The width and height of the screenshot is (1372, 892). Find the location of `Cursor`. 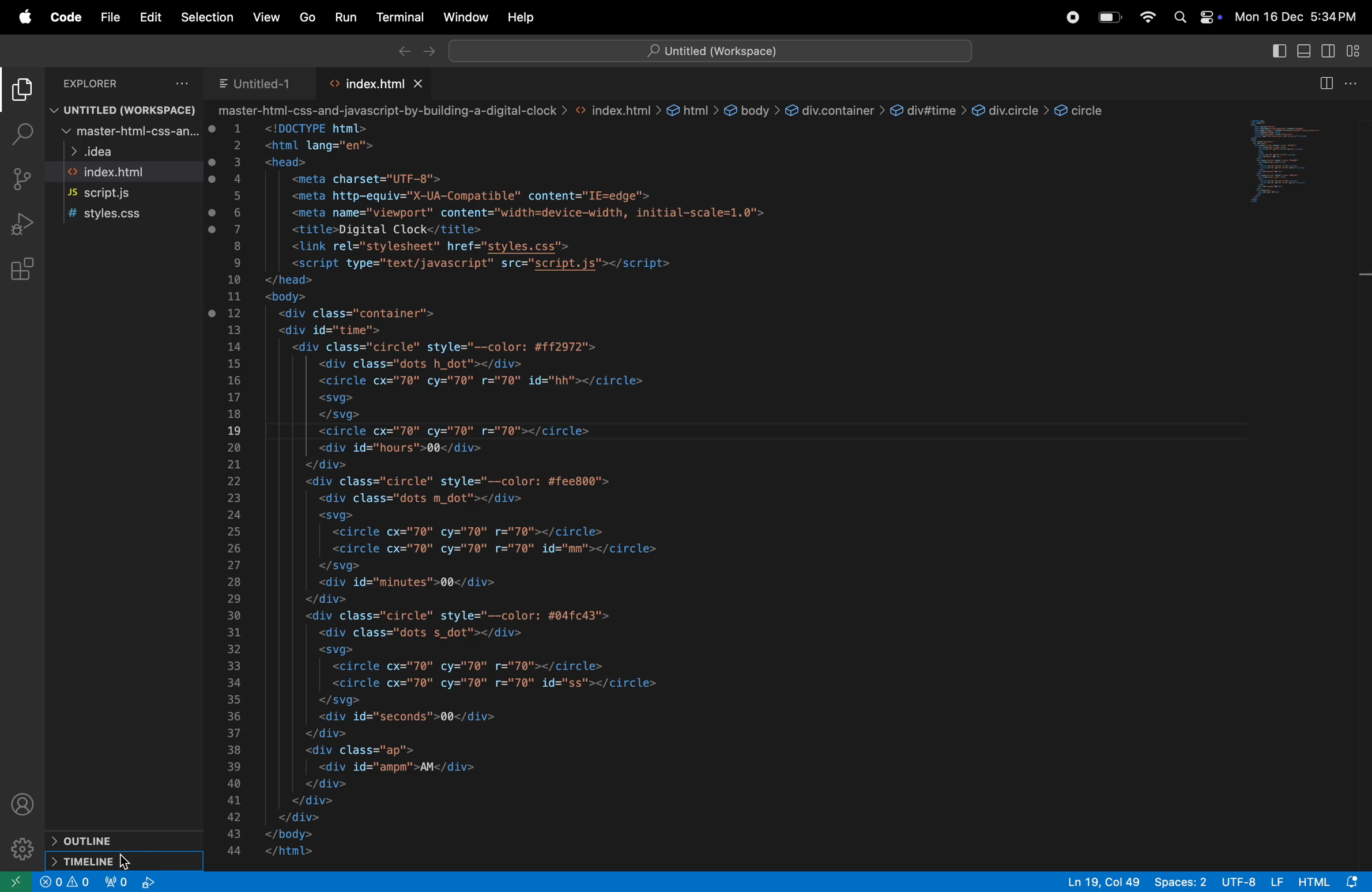

Cursor is located at coordinates (129, 861).